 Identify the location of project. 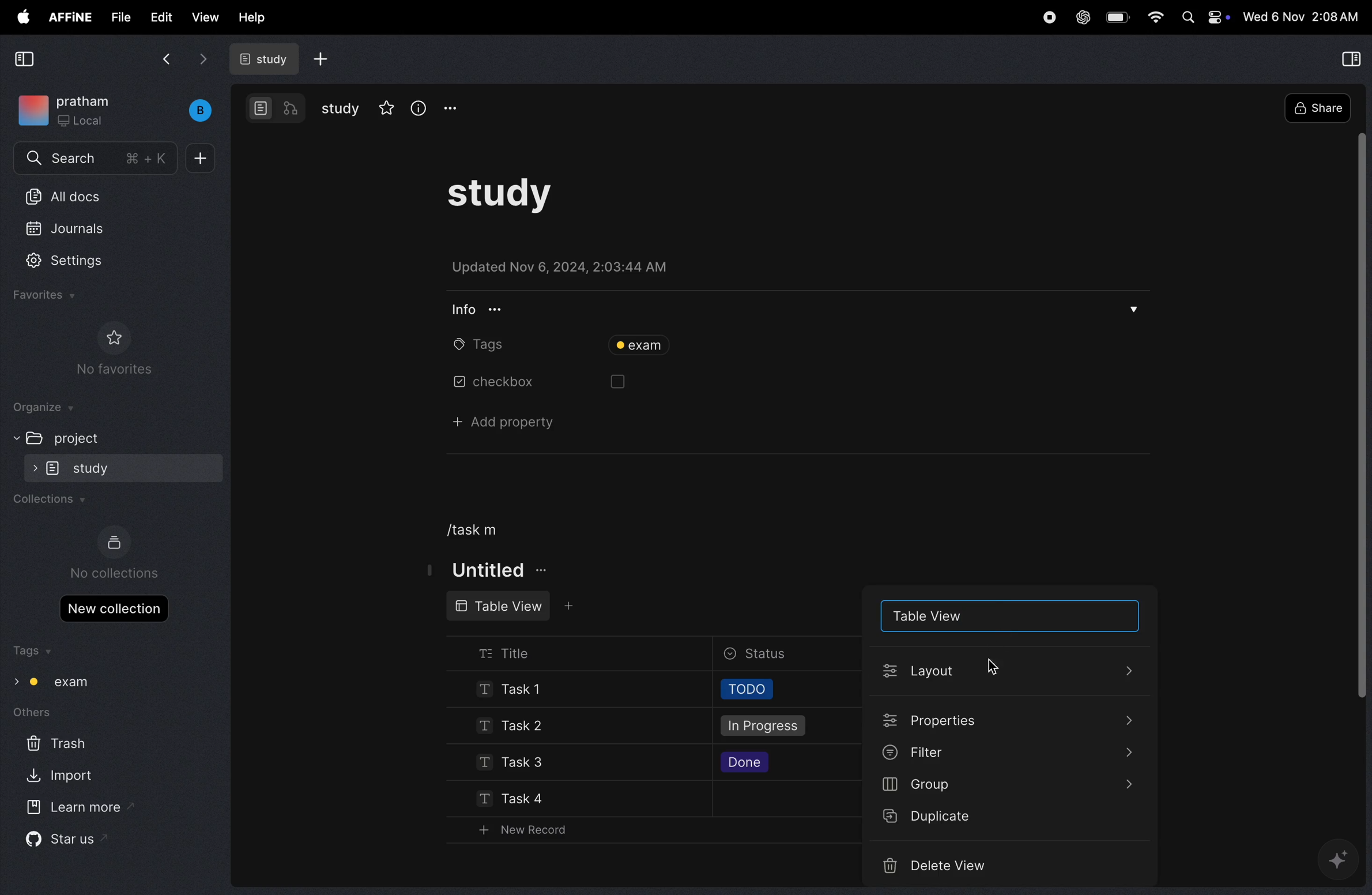
(67, 437).